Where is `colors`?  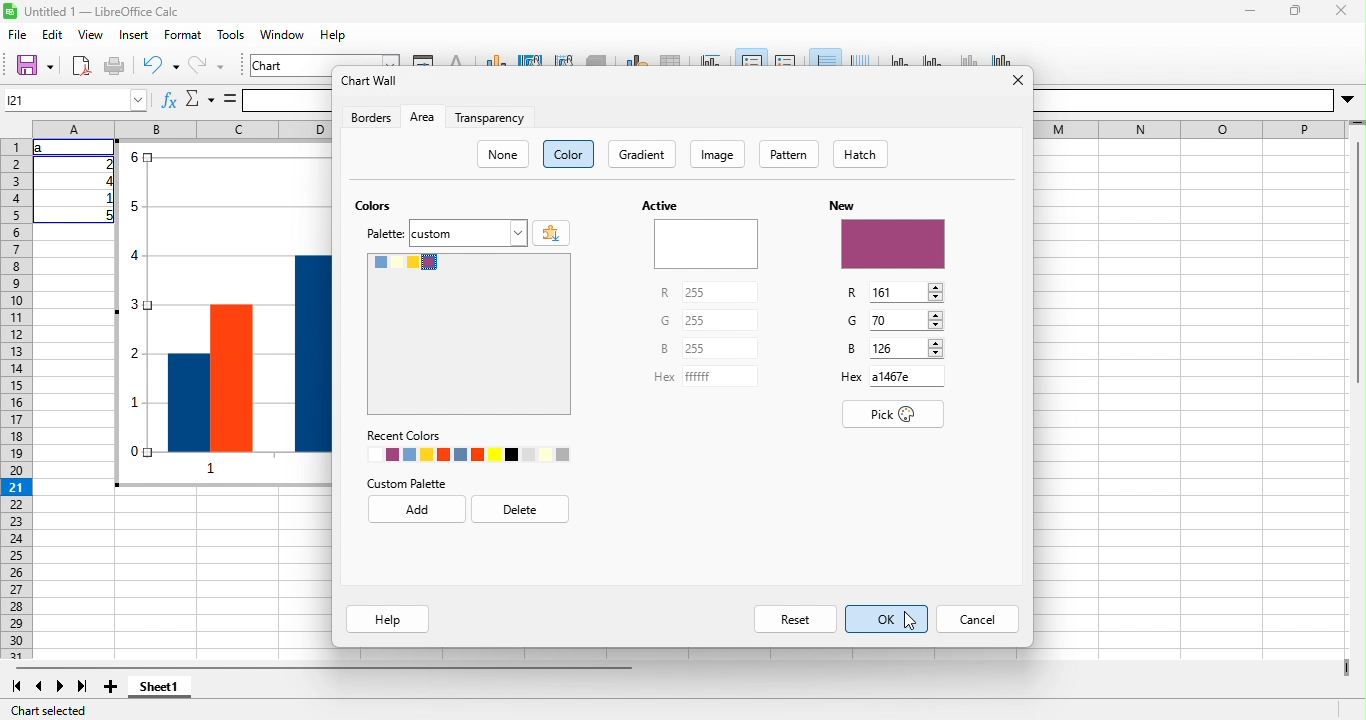 colors is located at coordinates (373, 205).